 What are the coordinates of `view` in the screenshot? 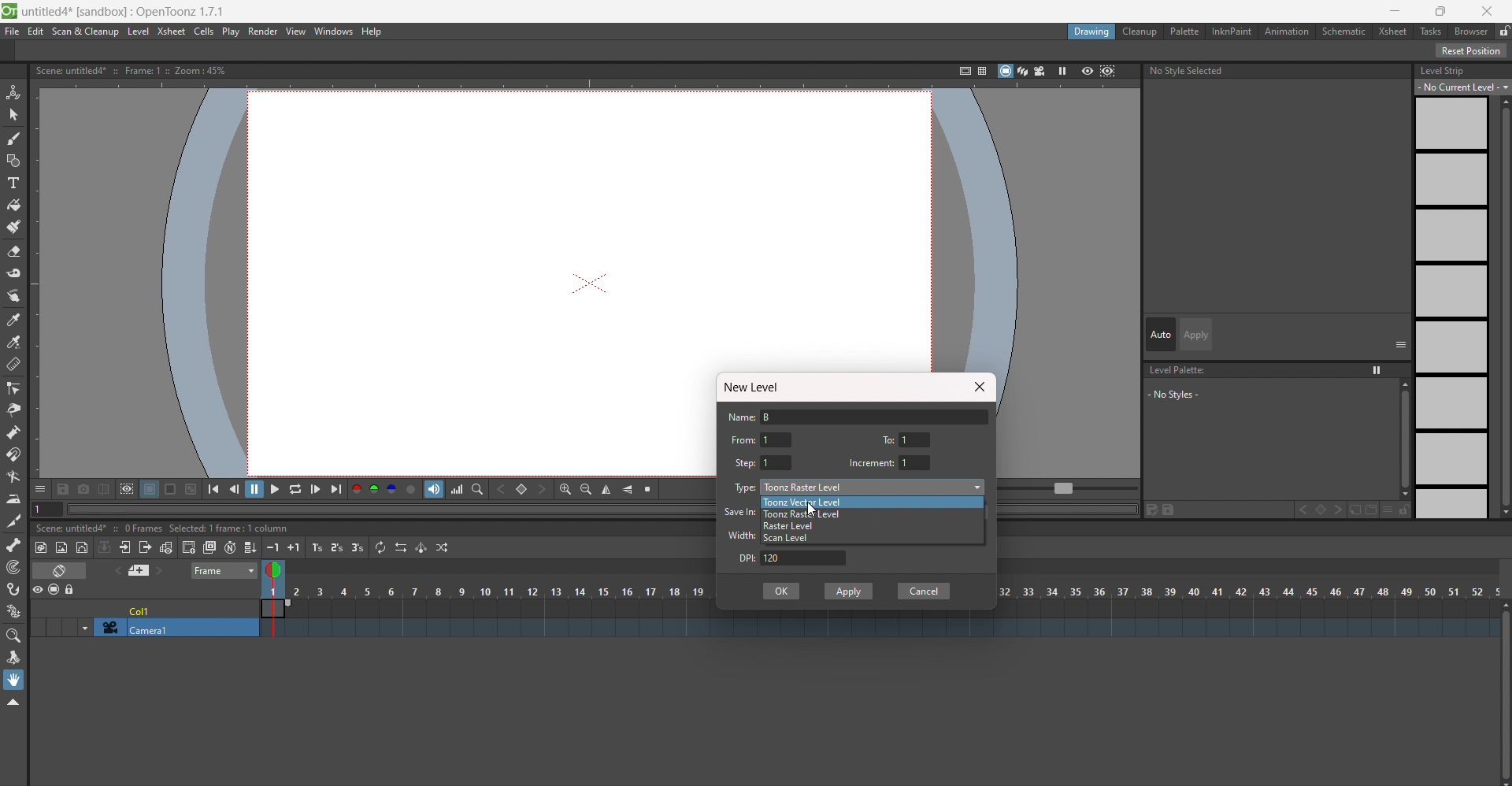 It's located at (277, 573).